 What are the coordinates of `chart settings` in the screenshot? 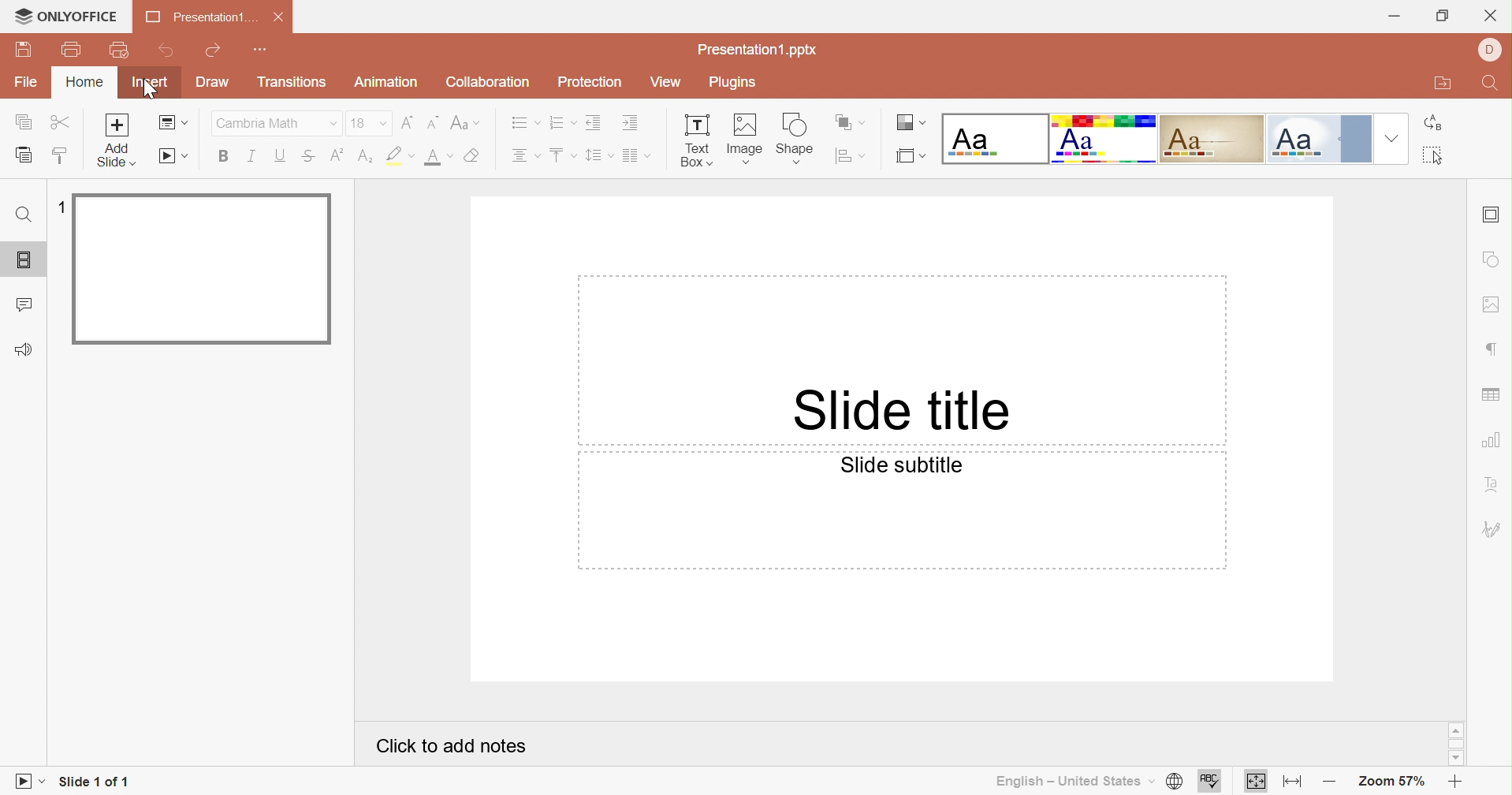 It's located at (1489, 443).